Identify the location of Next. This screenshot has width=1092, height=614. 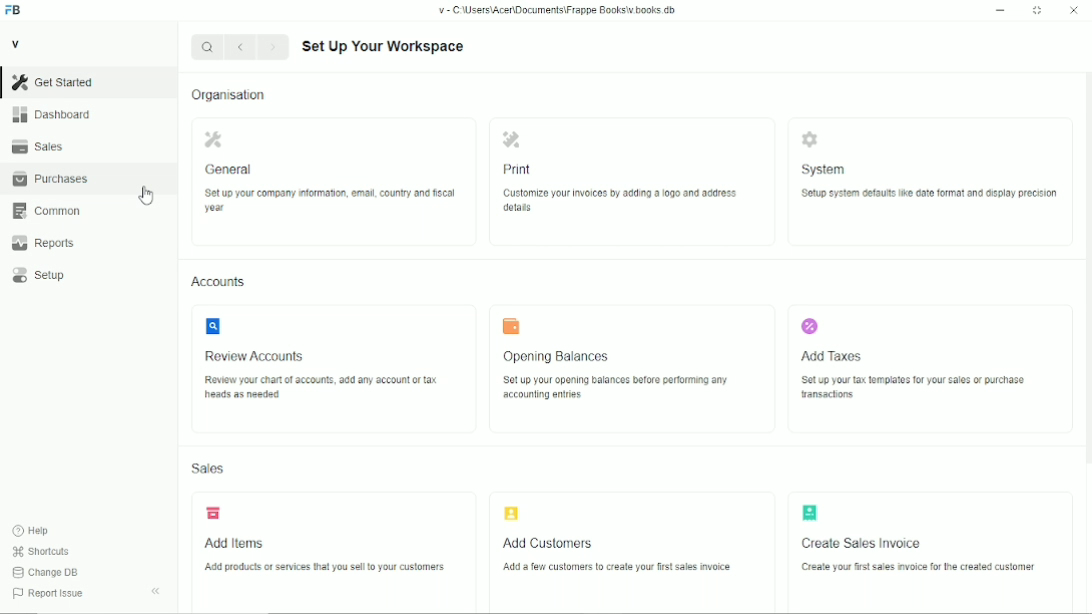
(273, 47).